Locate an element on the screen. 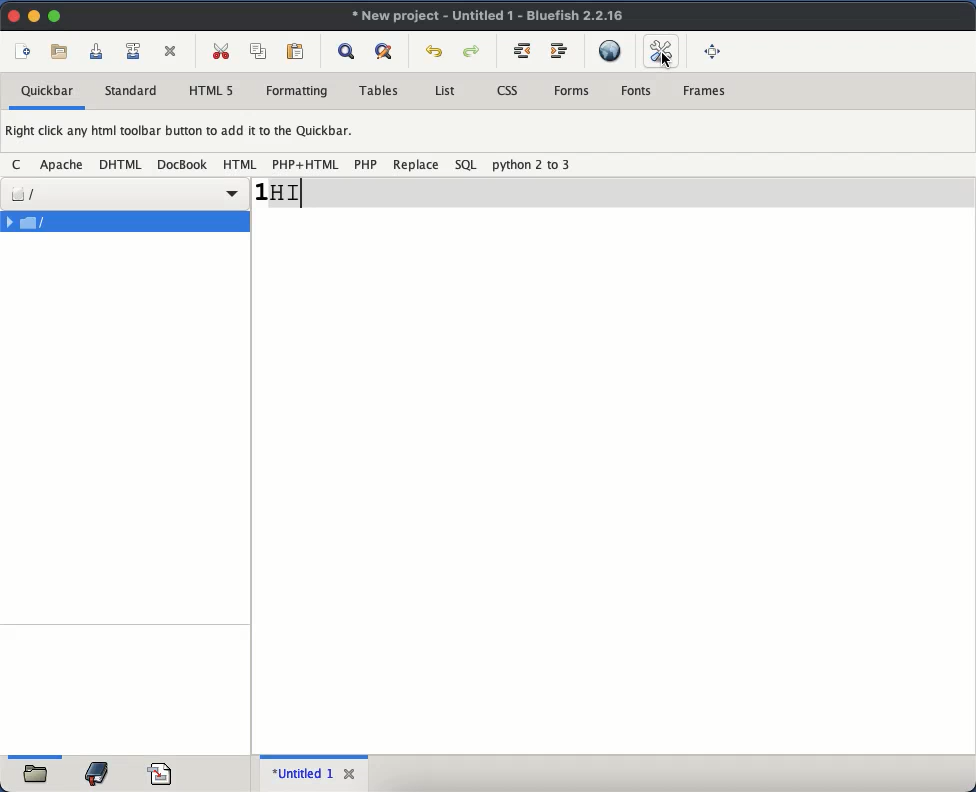  edit preference is located at coordinates (666, 47).